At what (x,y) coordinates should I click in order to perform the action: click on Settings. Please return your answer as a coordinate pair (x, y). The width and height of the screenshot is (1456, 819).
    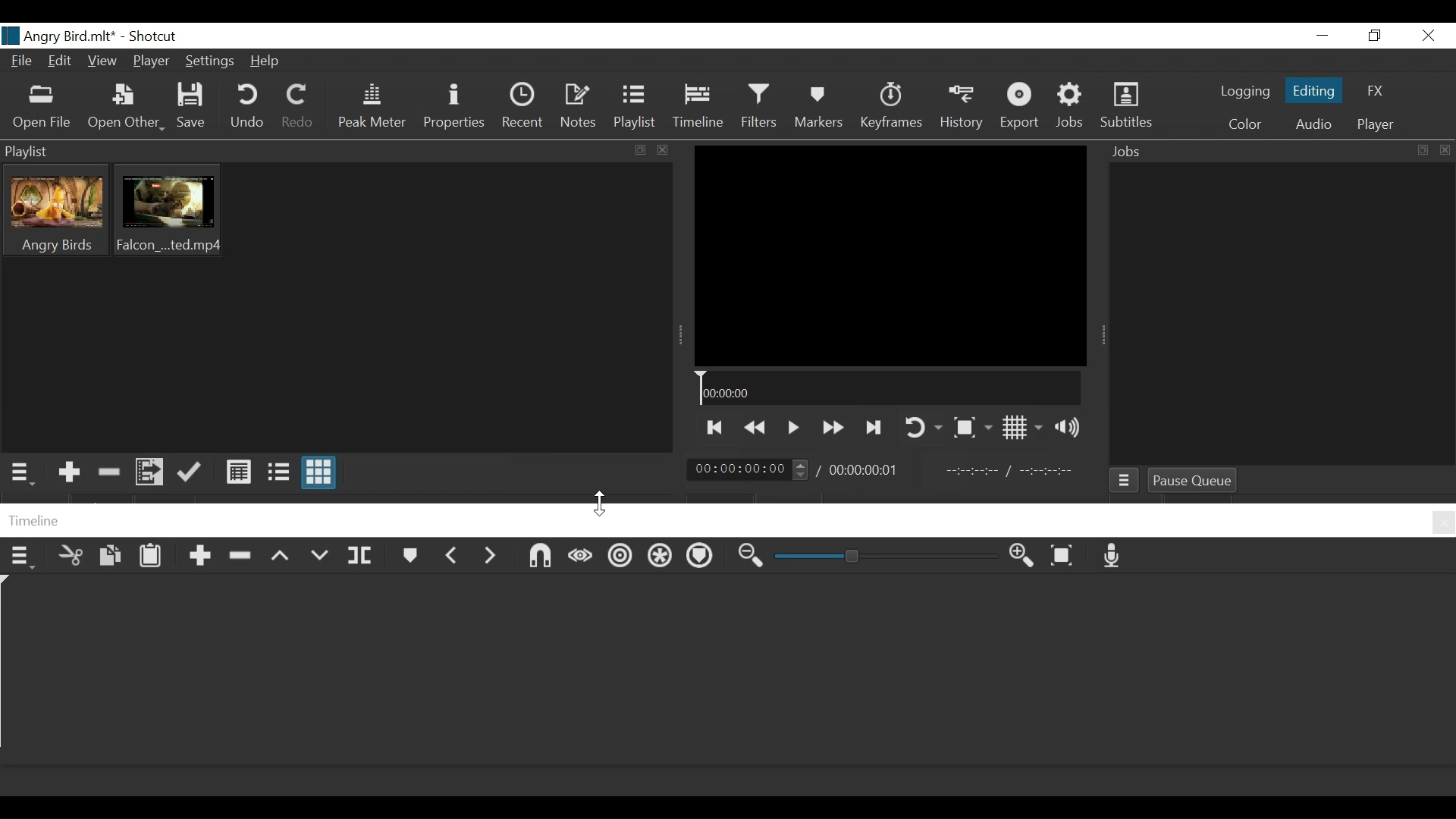
    Looking at the image, I should click on (213, 61).